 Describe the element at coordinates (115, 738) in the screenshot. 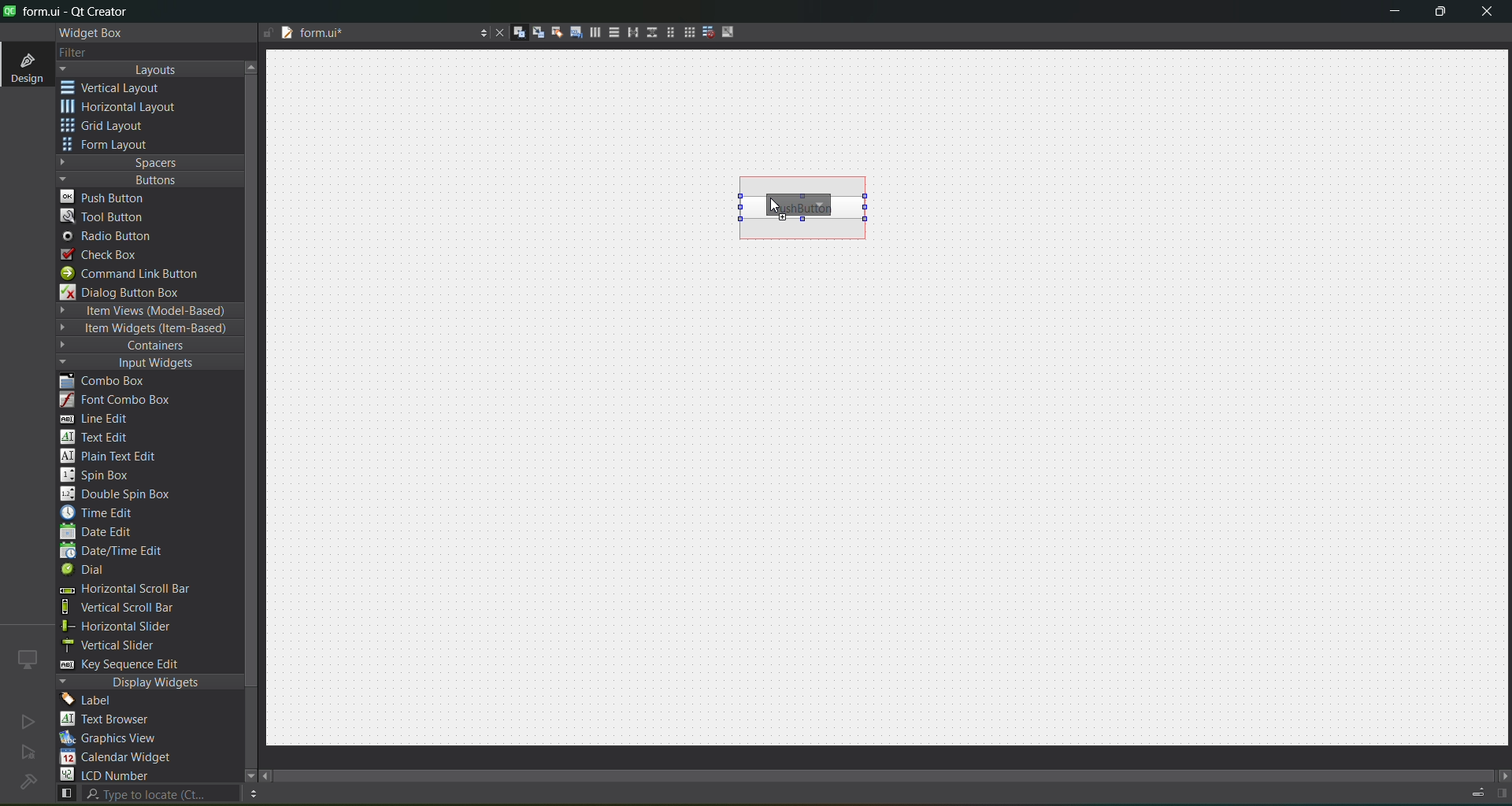

I see `graphics` at that location.